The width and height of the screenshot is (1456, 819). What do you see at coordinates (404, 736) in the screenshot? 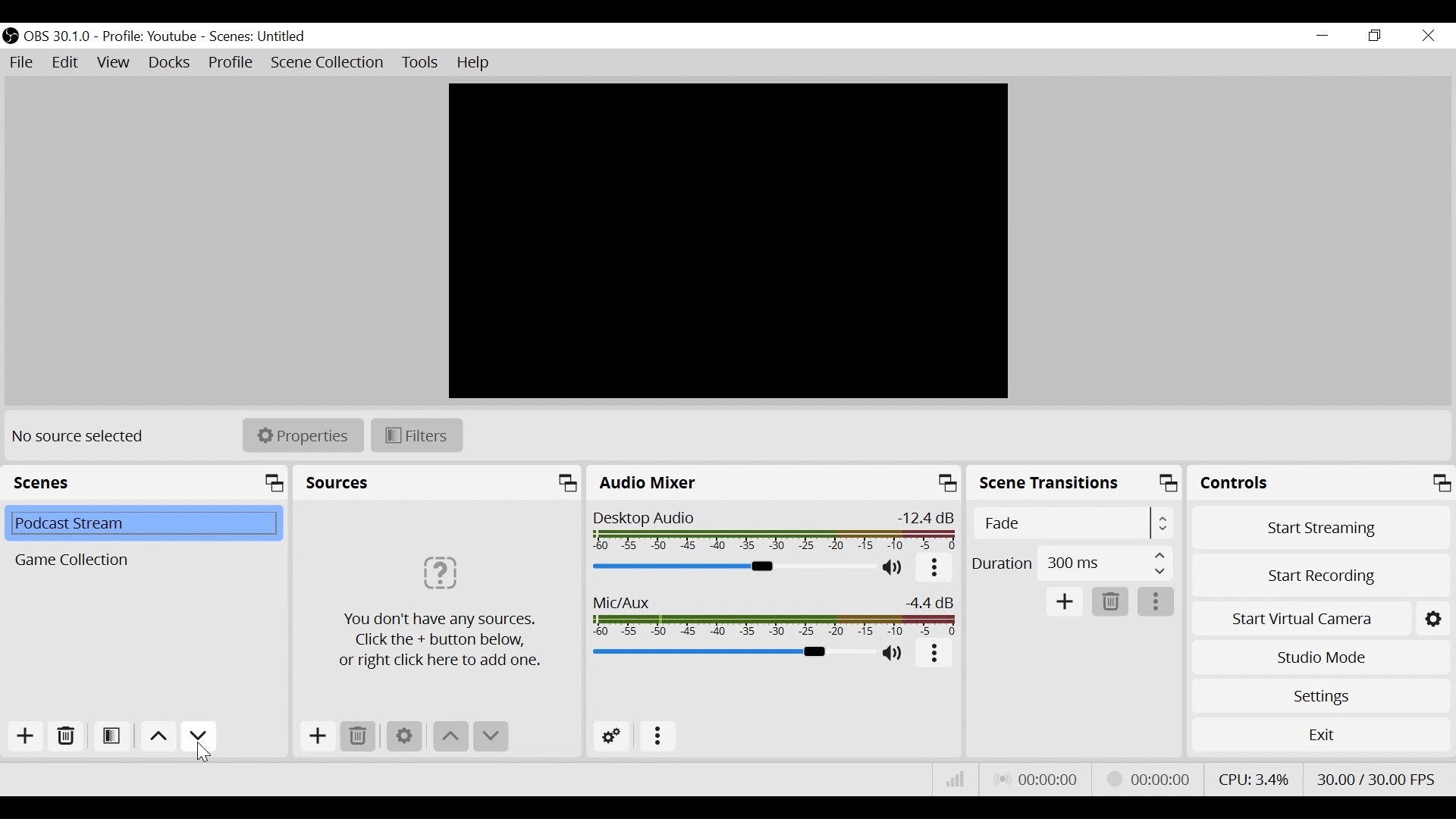
I see `Settings` at bounding box center [404, 736].